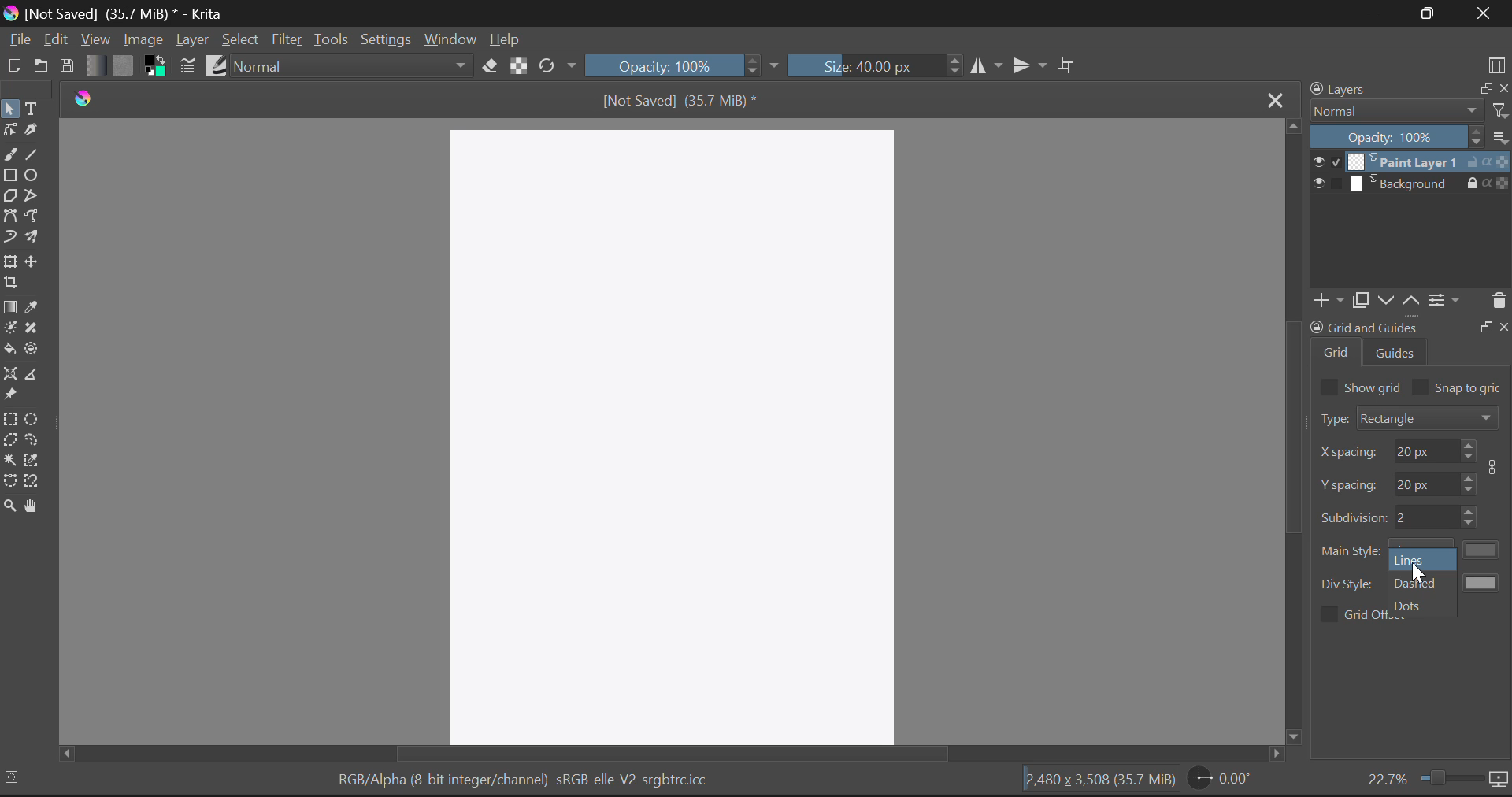 The height and width of the screenshot is (797, 1512). I want to click on filter icon, so click(1499, 110).